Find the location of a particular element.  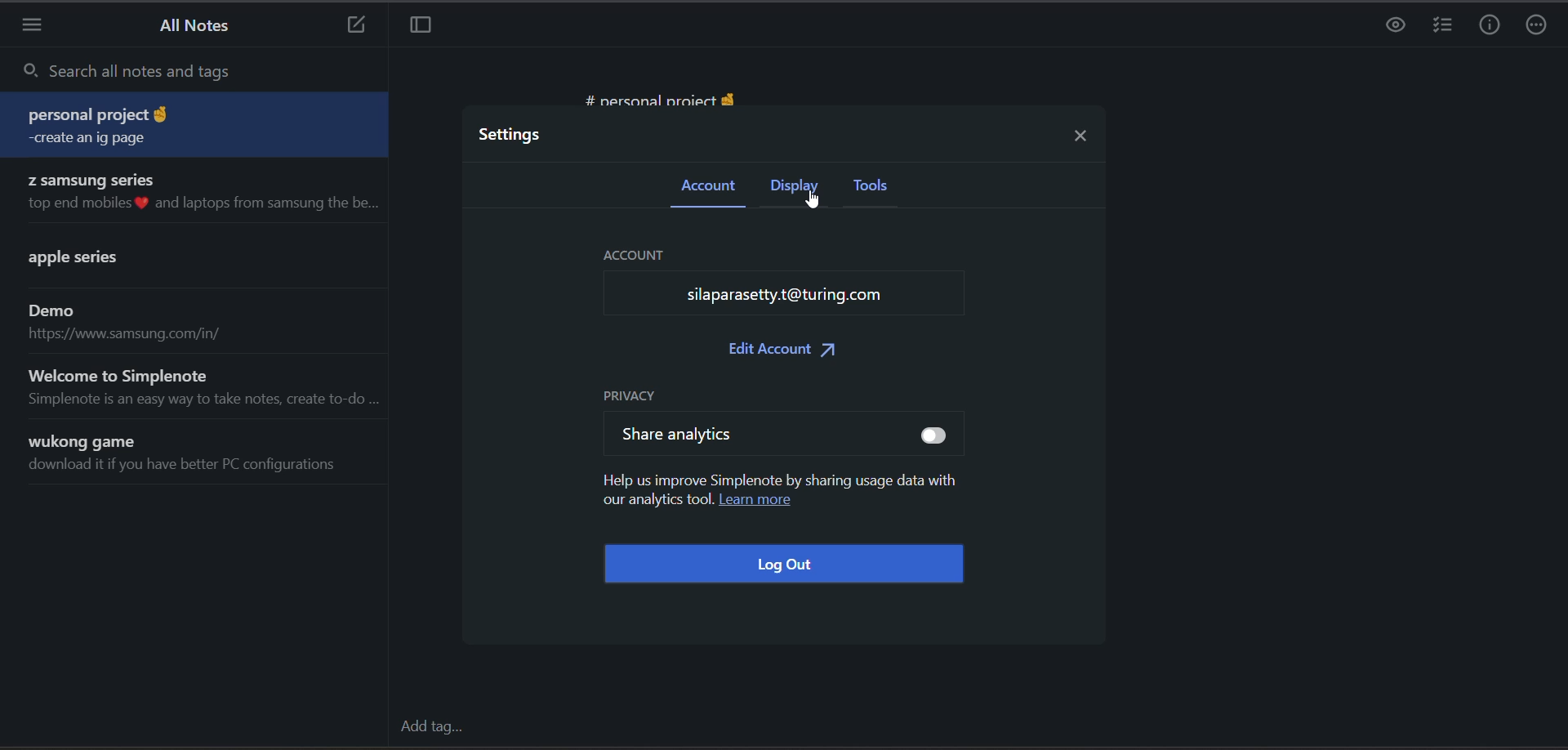

note title and preview is located at coordinates (186, 455).